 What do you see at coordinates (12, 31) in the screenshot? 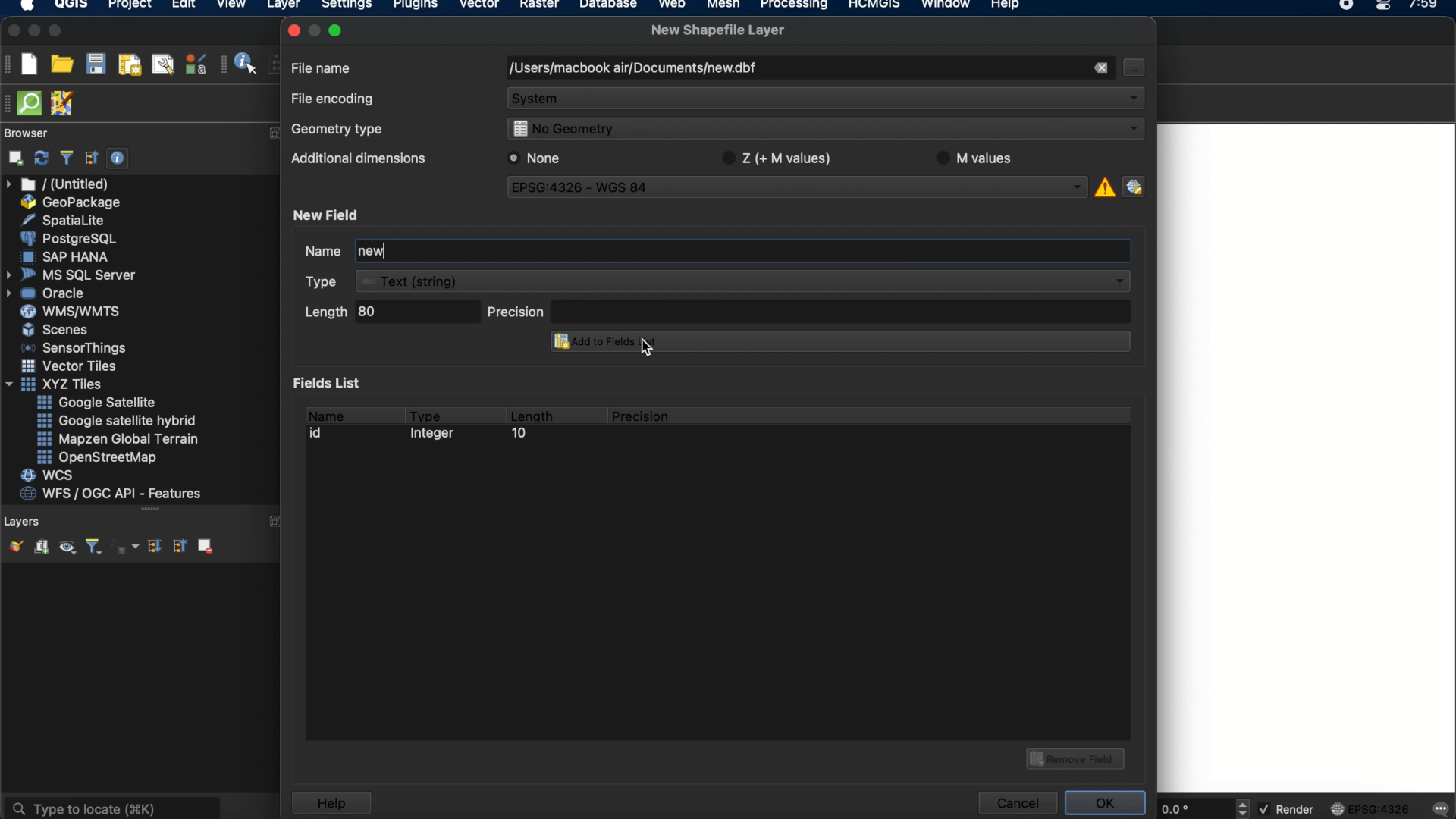
I see `close` at bounding box center [12, 31].